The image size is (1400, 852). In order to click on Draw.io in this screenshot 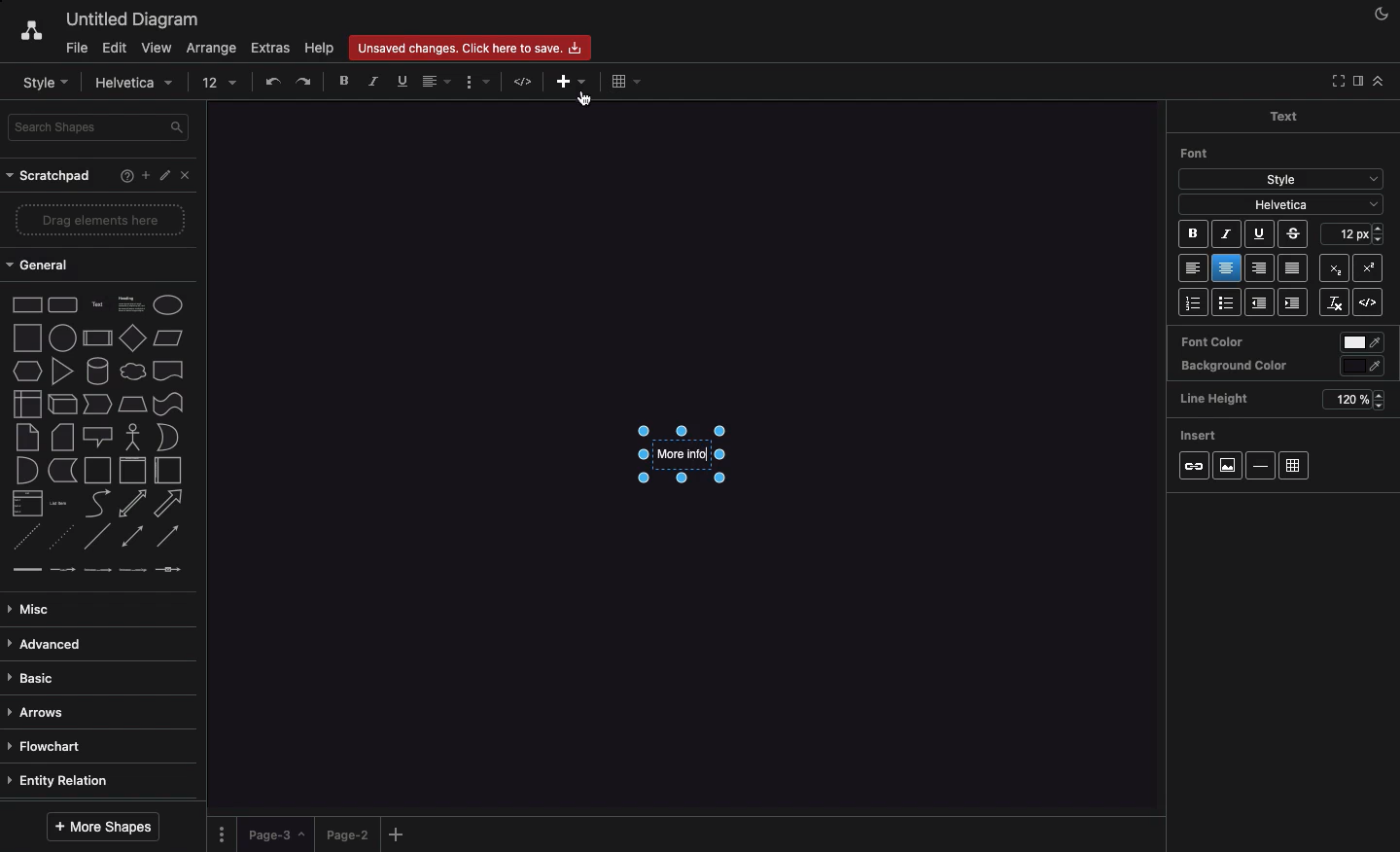, I will do `click(21, 33)`.